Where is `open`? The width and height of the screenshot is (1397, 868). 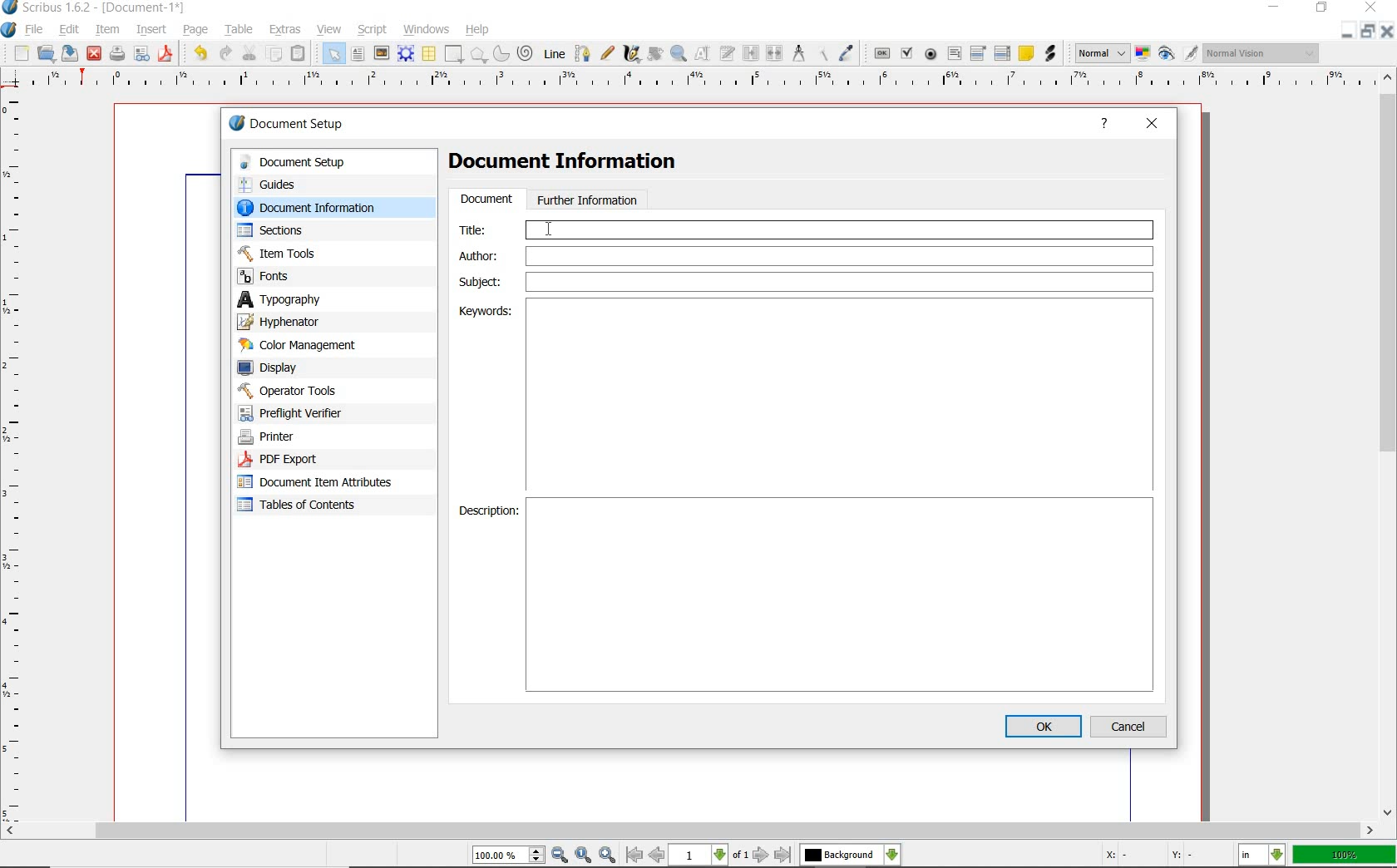 open is located at coordinates (47, 53).